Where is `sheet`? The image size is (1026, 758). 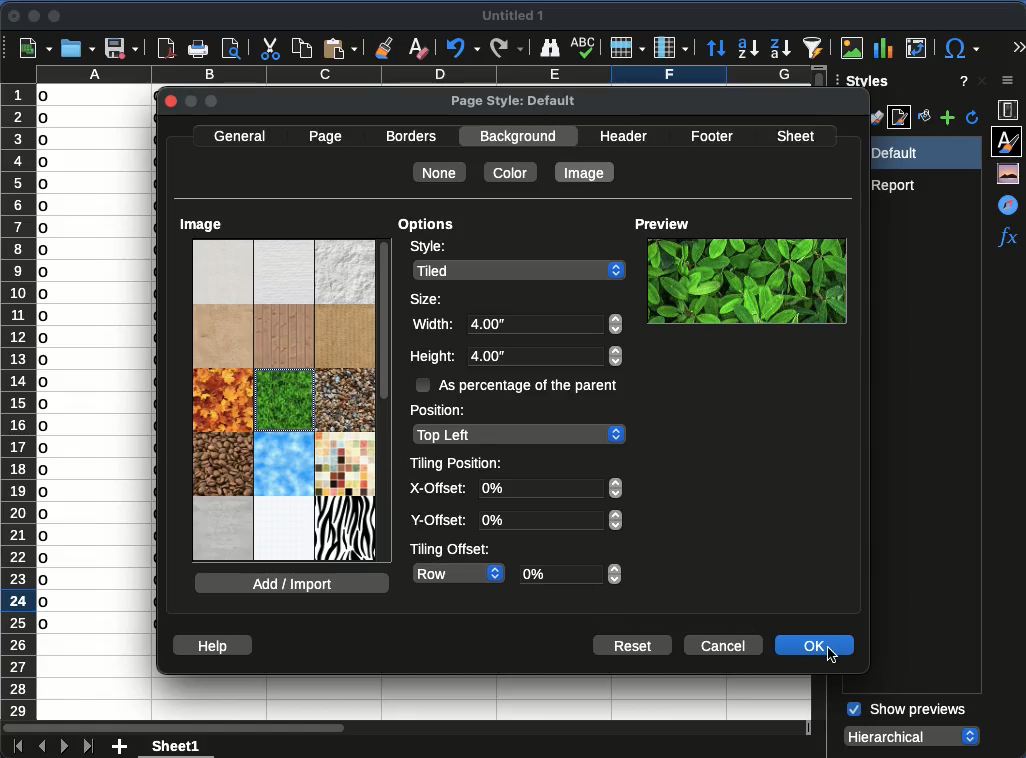 sheet is located at coordinates (178, 745).